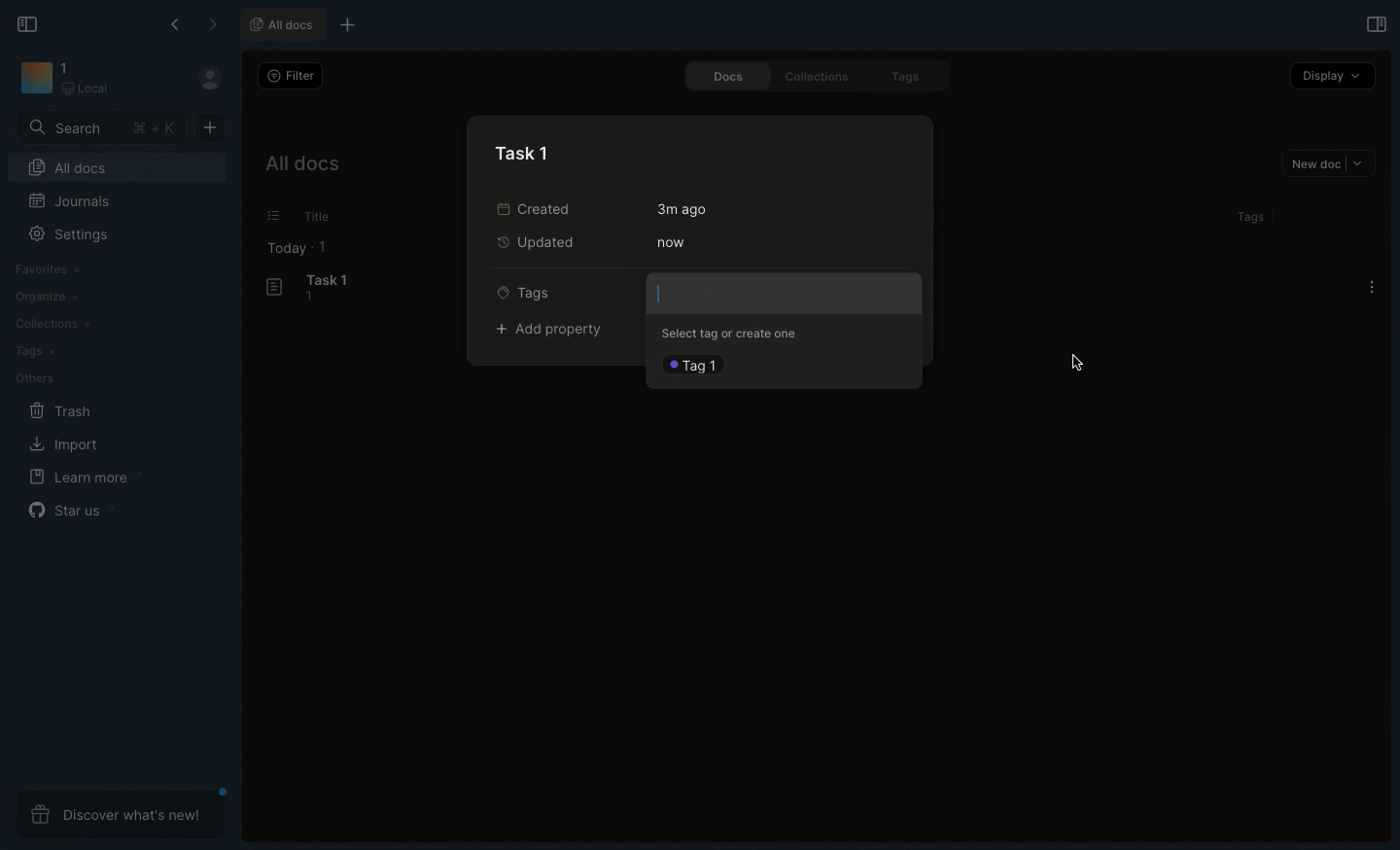 The image size is (1400, 850). What do you see at coordinates (31, 350) in the screenshot?
I see `Tags` at bounding box center [31, 350].